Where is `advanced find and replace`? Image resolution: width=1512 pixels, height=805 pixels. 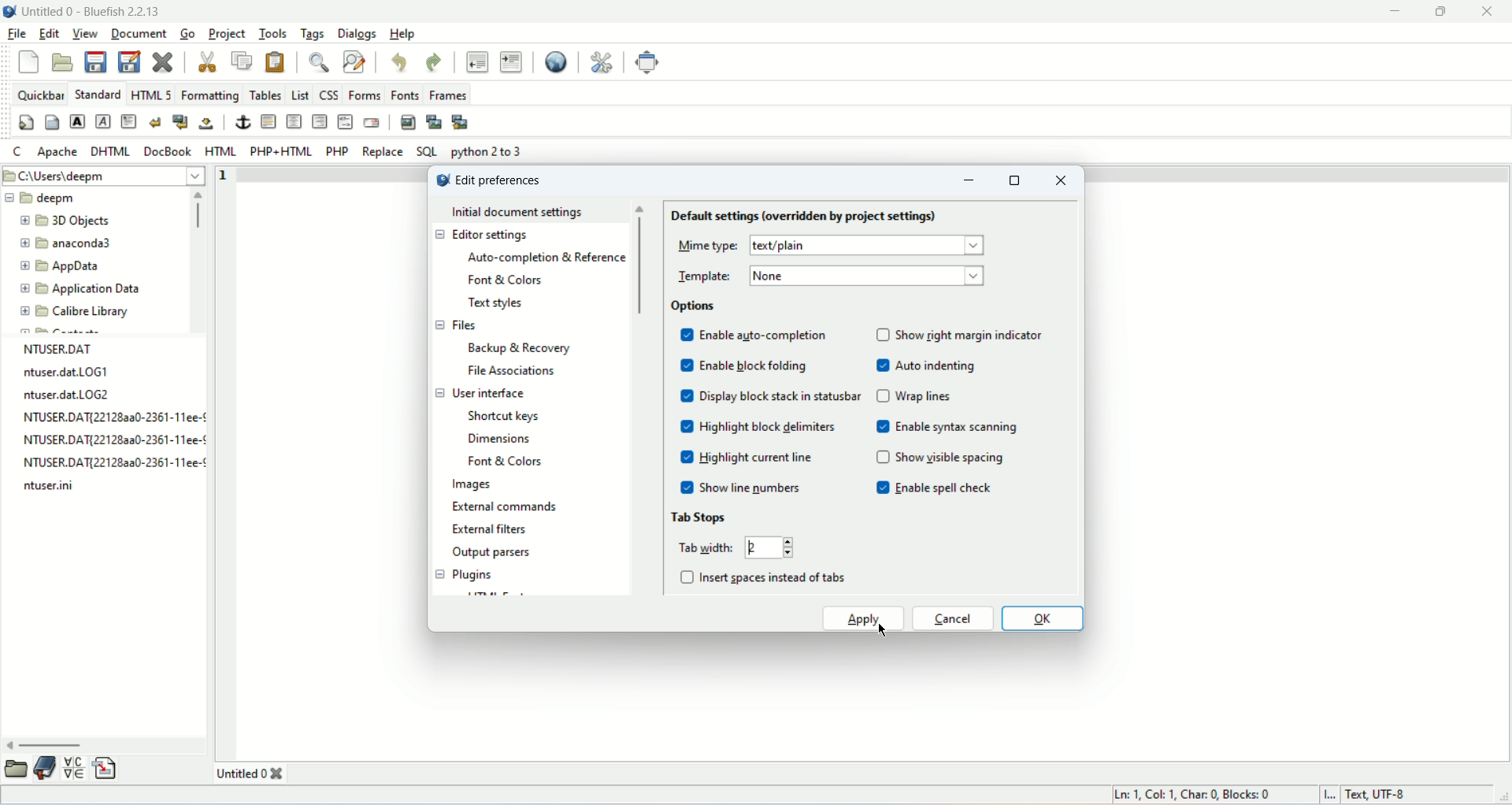 advanced find and replace is located at coordinates (353, 61).